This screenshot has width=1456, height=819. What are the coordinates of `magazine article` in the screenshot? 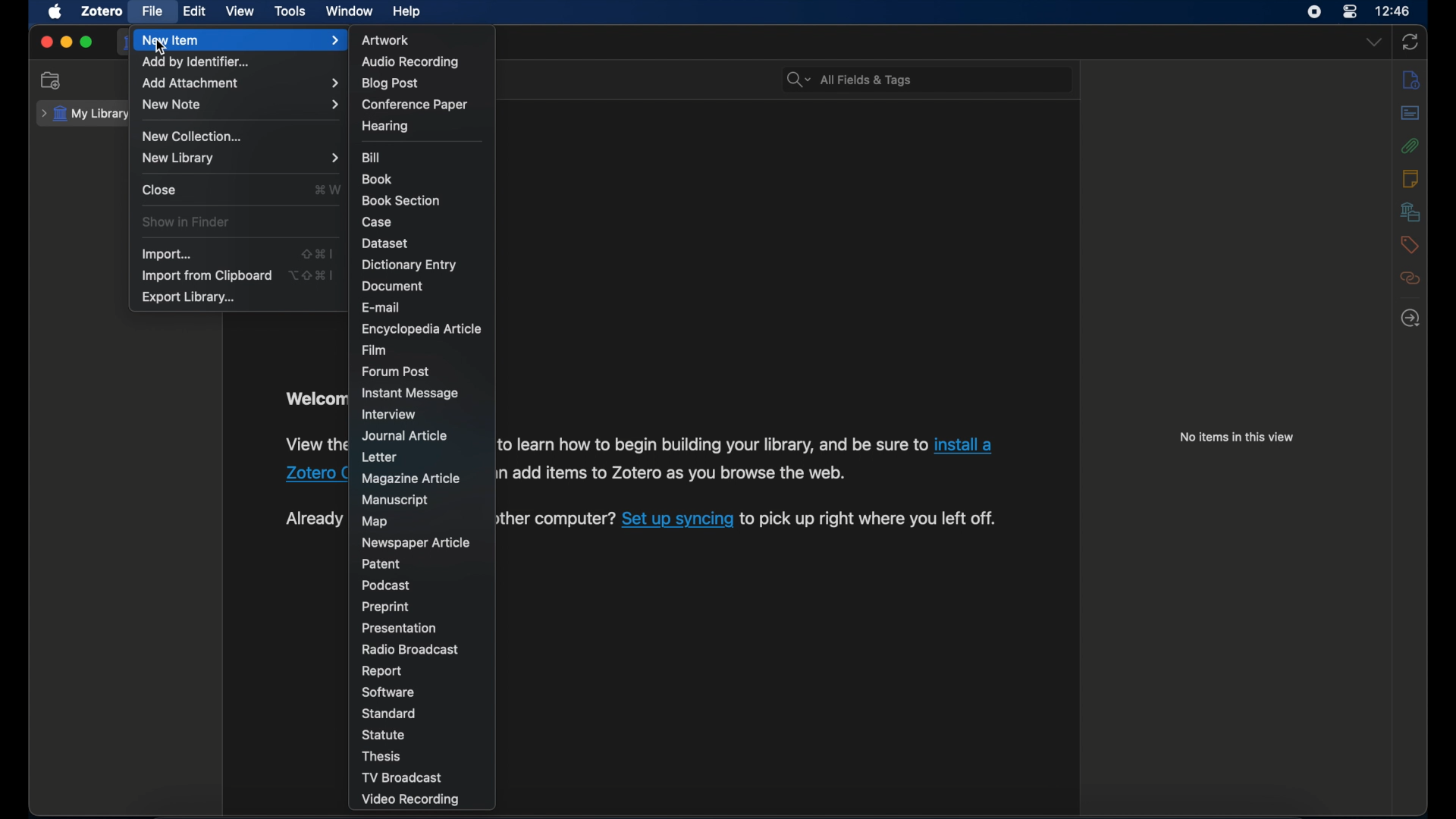 It's located at (411, 479).